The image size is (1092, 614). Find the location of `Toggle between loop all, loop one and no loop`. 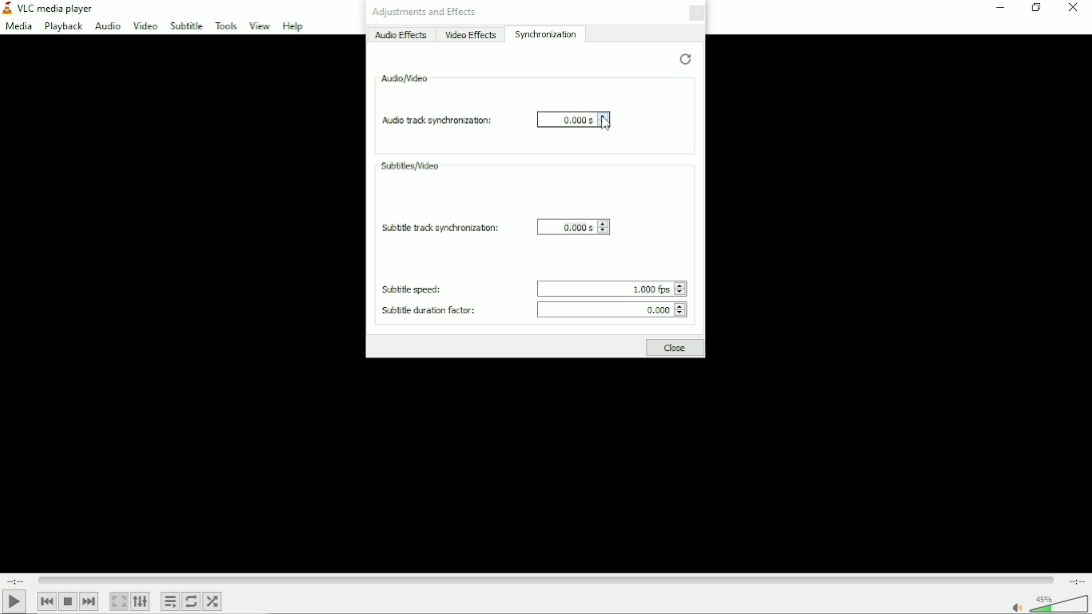

Toggle between loop all, loop one and no loop is located at coordinates (191, 601).